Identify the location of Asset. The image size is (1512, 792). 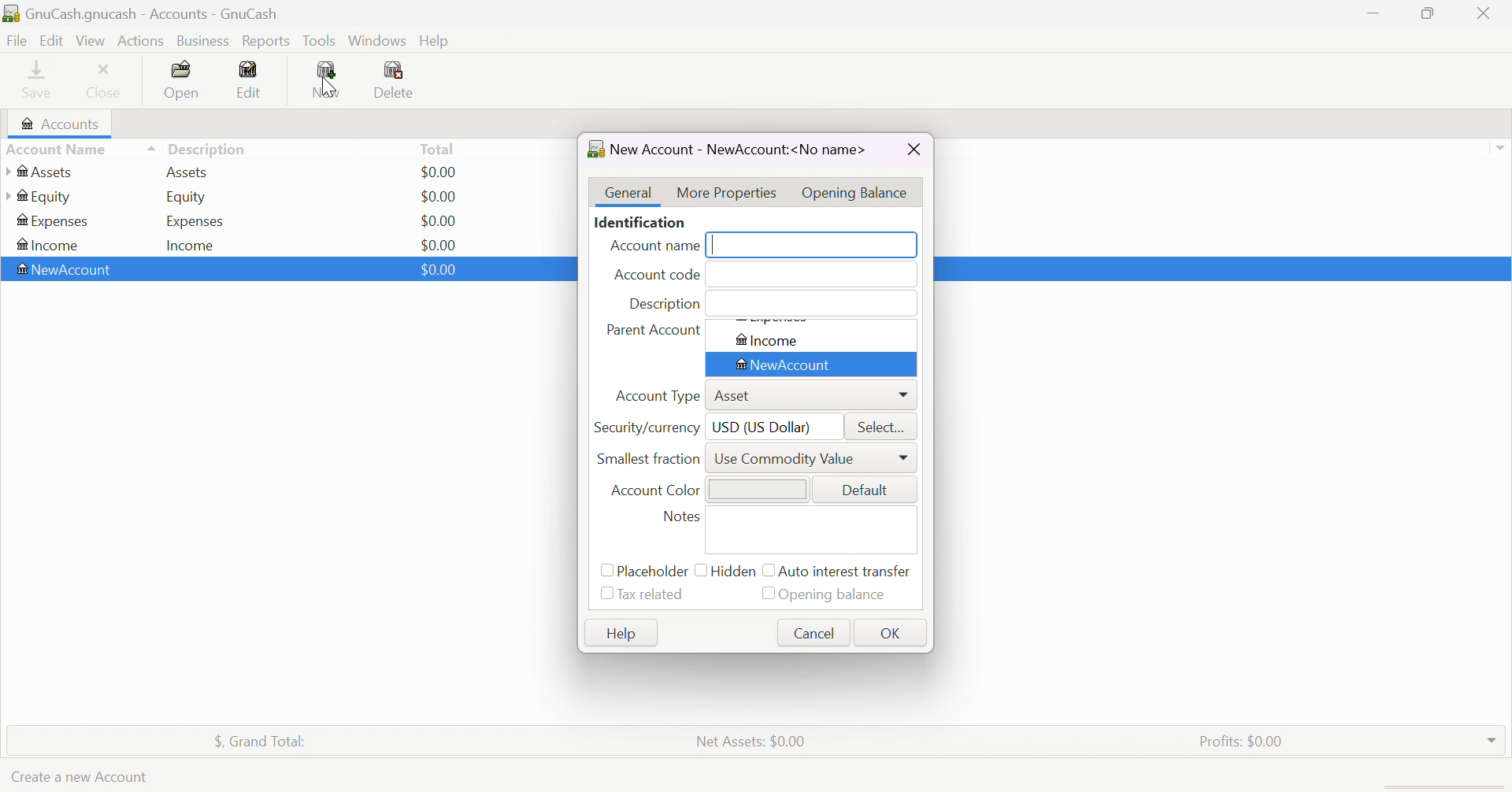
(738, 396).